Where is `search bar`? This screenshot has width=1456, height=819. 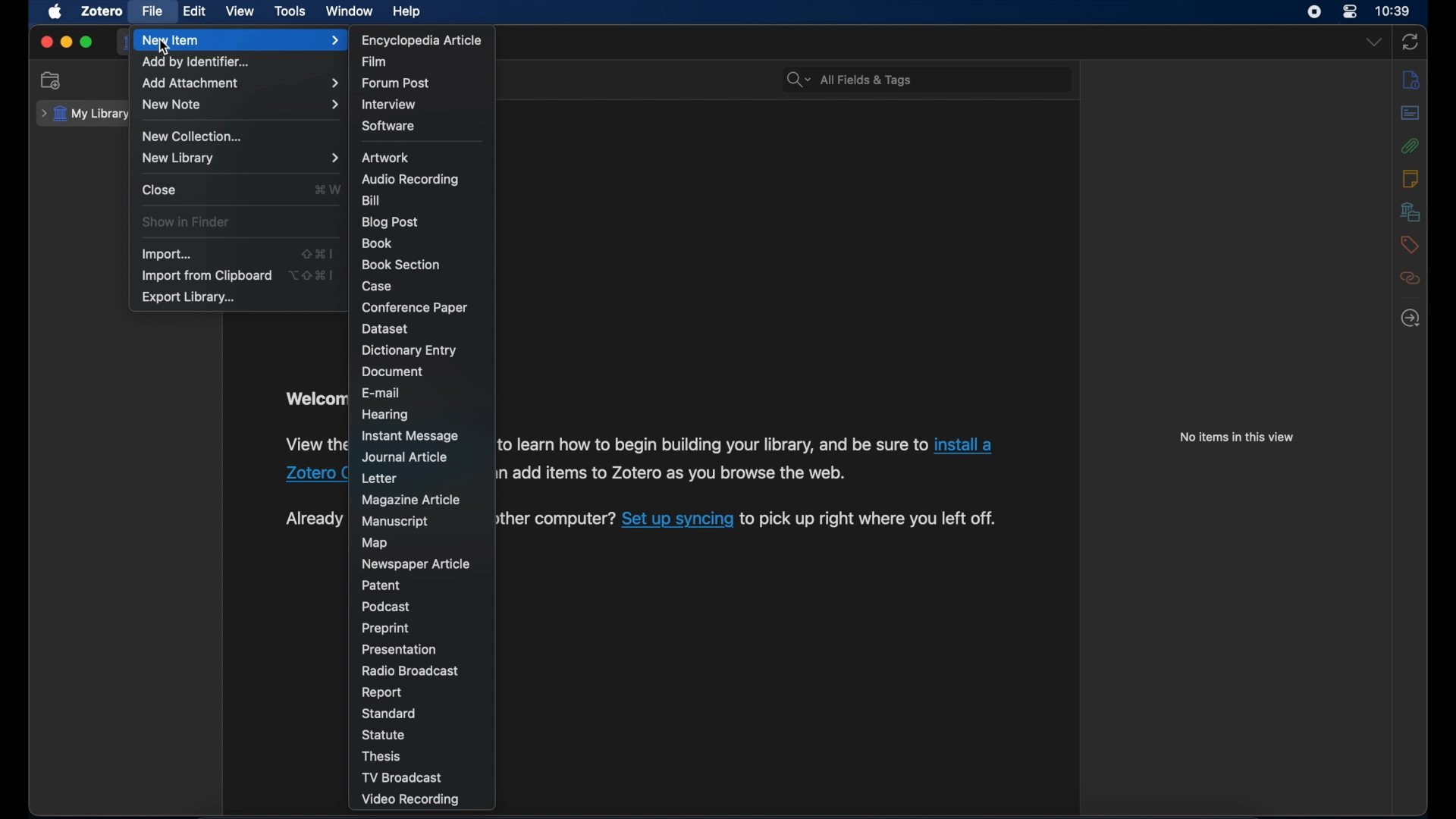 search bar is located at coordinates (851, 80).